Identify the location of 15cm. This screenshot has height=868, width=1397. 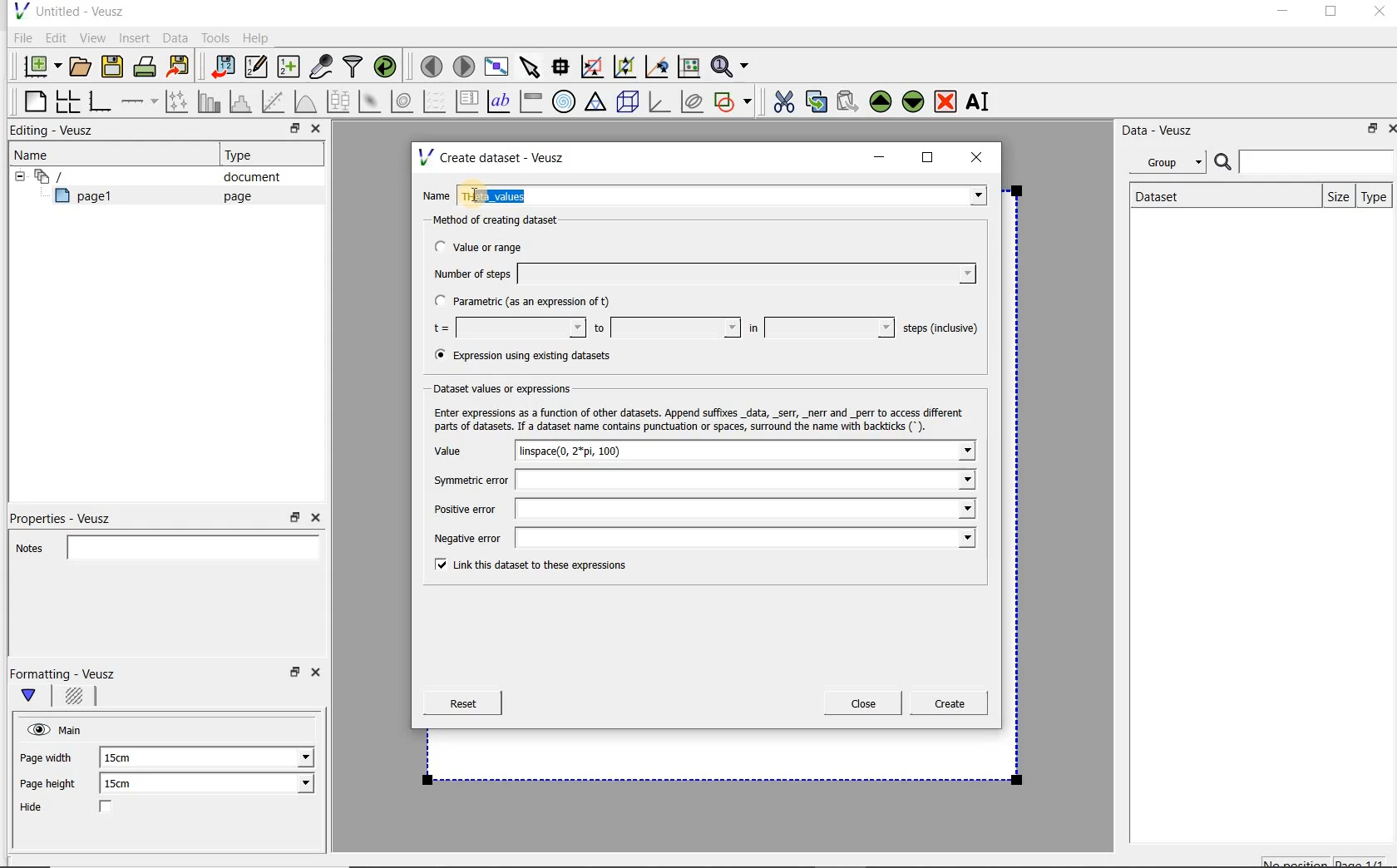
(128, 784).